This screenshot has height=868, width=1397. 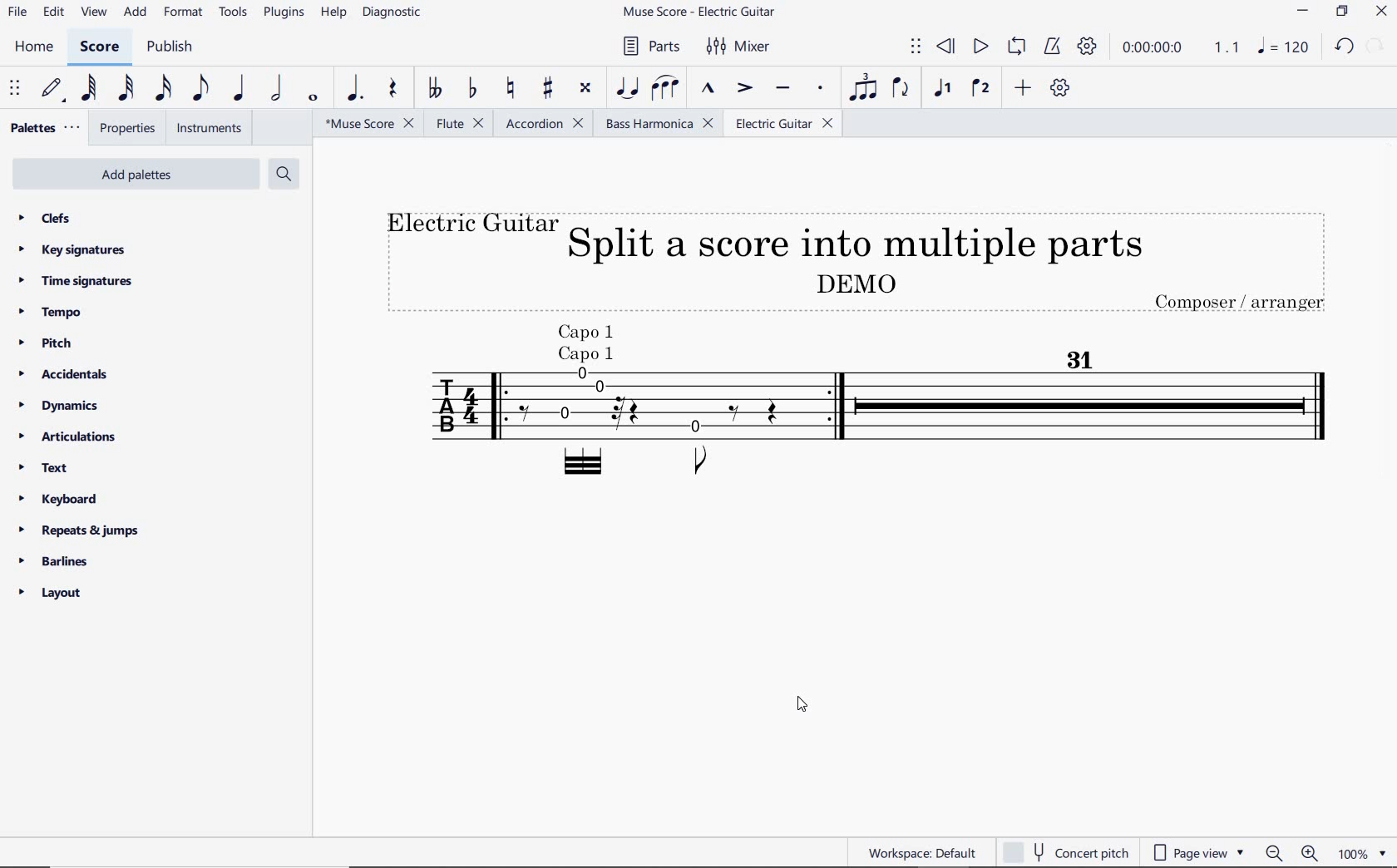 What do you see at coordinates (838, 407) in the screenshot?
I see `Instrument: Electric Guitar` at bounding box center [838, 407].